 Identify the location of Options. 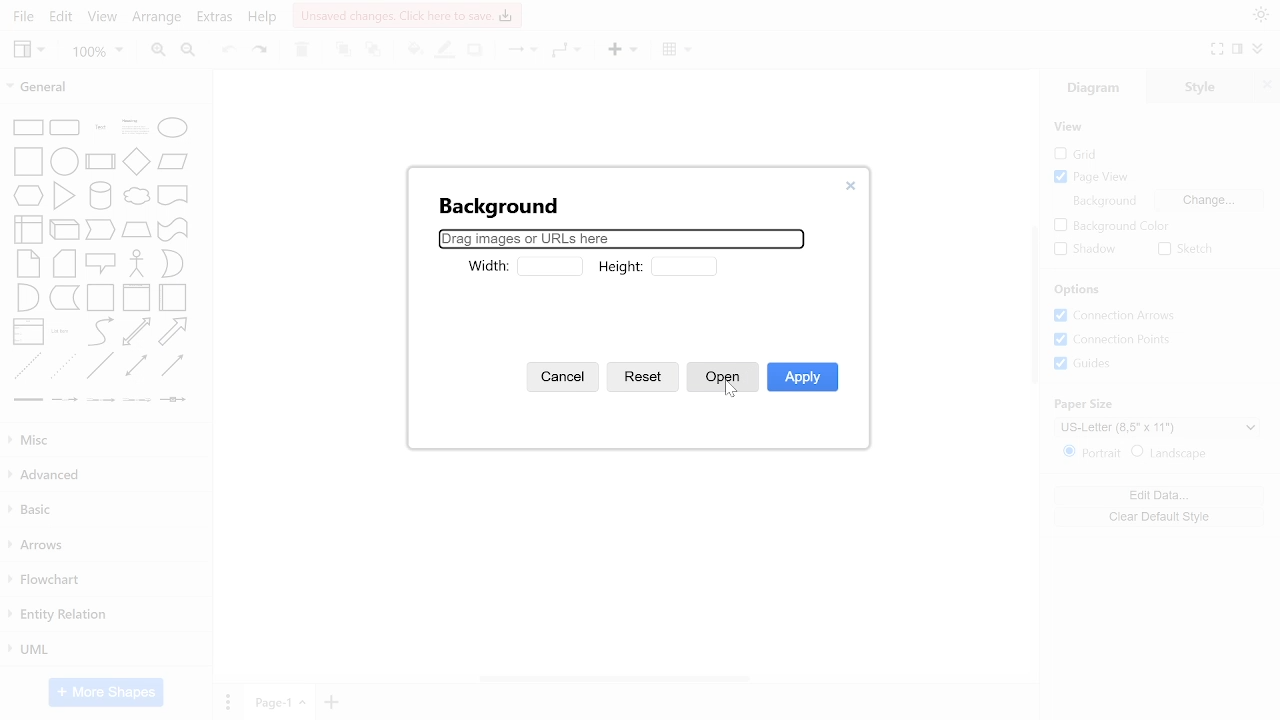
(1078, 290).